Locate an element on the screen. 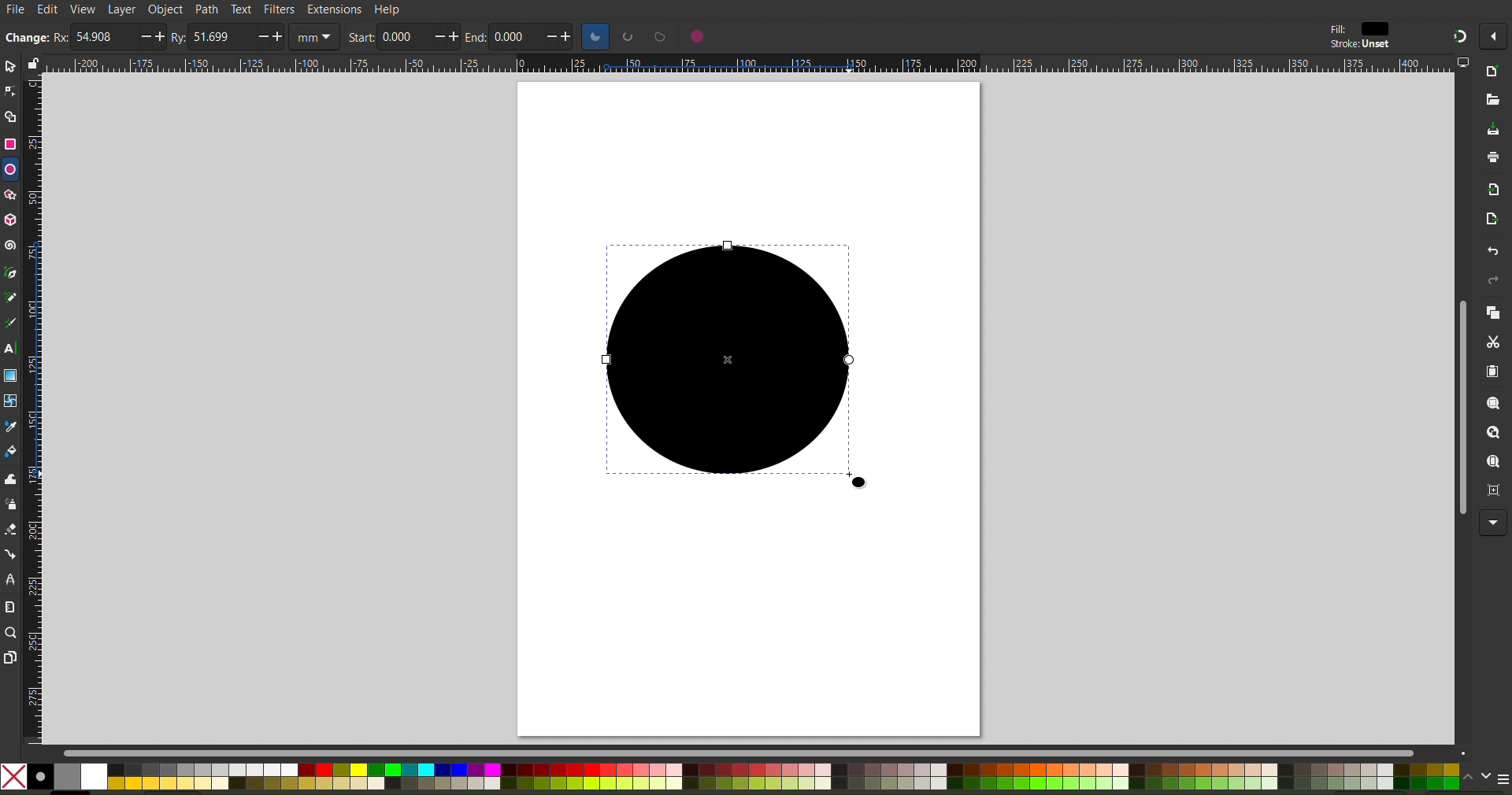 This screenshot has width=1512, height=795. Zoom Tool is located at coordinates (9, 631).